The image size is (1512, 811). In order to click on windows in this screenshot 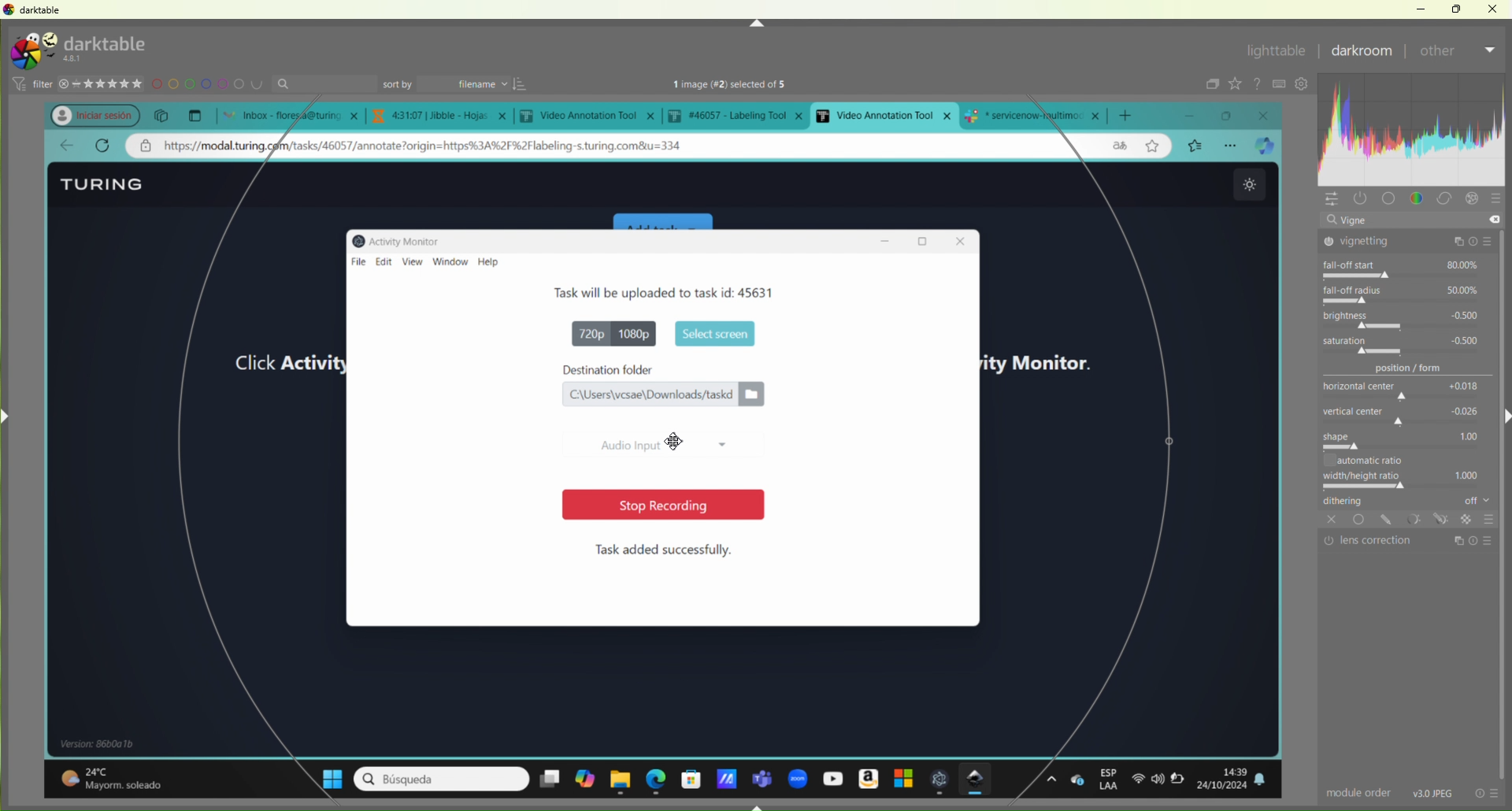, I will do `click(324, 776)`.